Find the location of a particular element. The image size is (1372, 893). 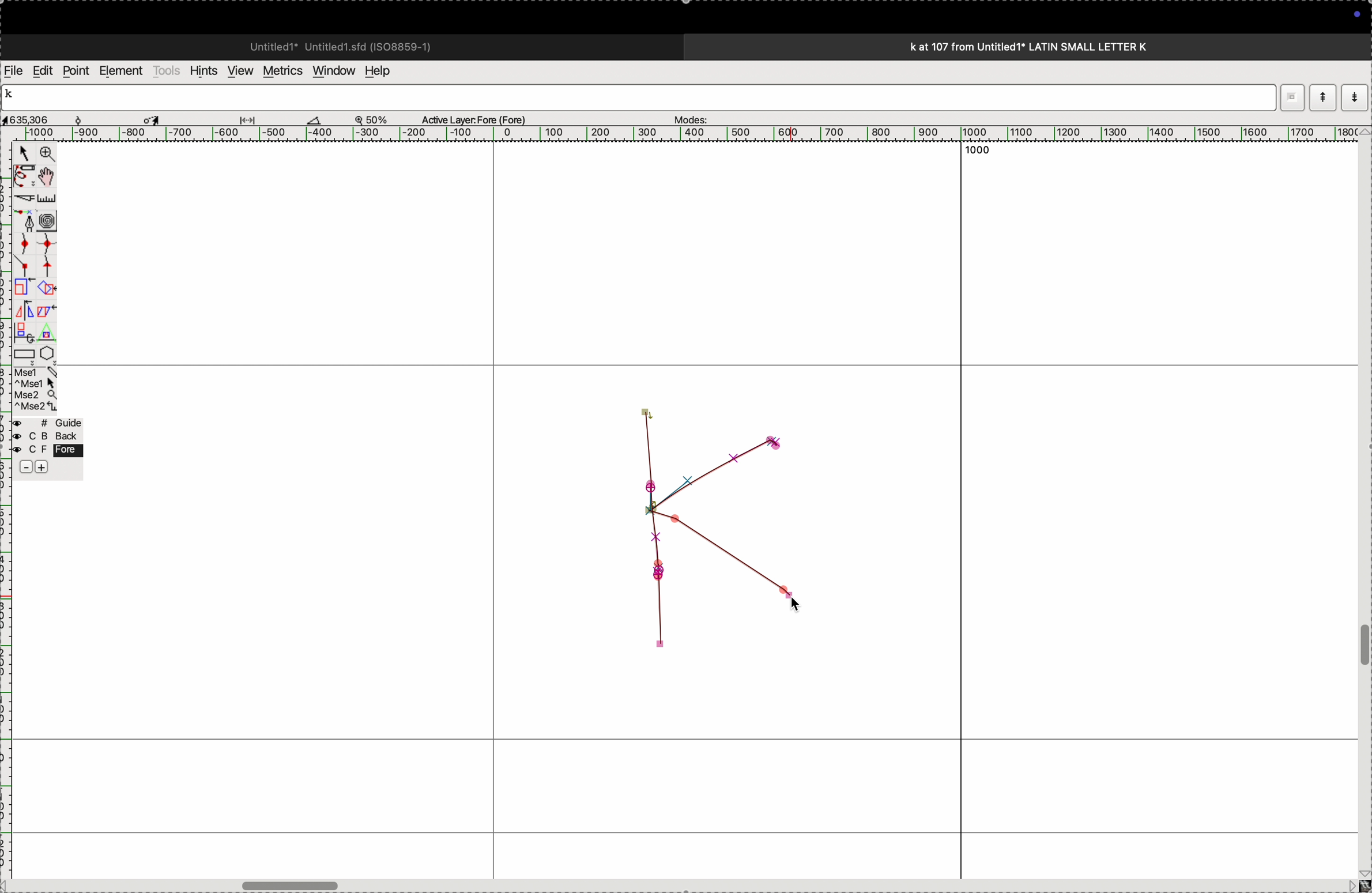

fill is located at coordinates (48, 287).